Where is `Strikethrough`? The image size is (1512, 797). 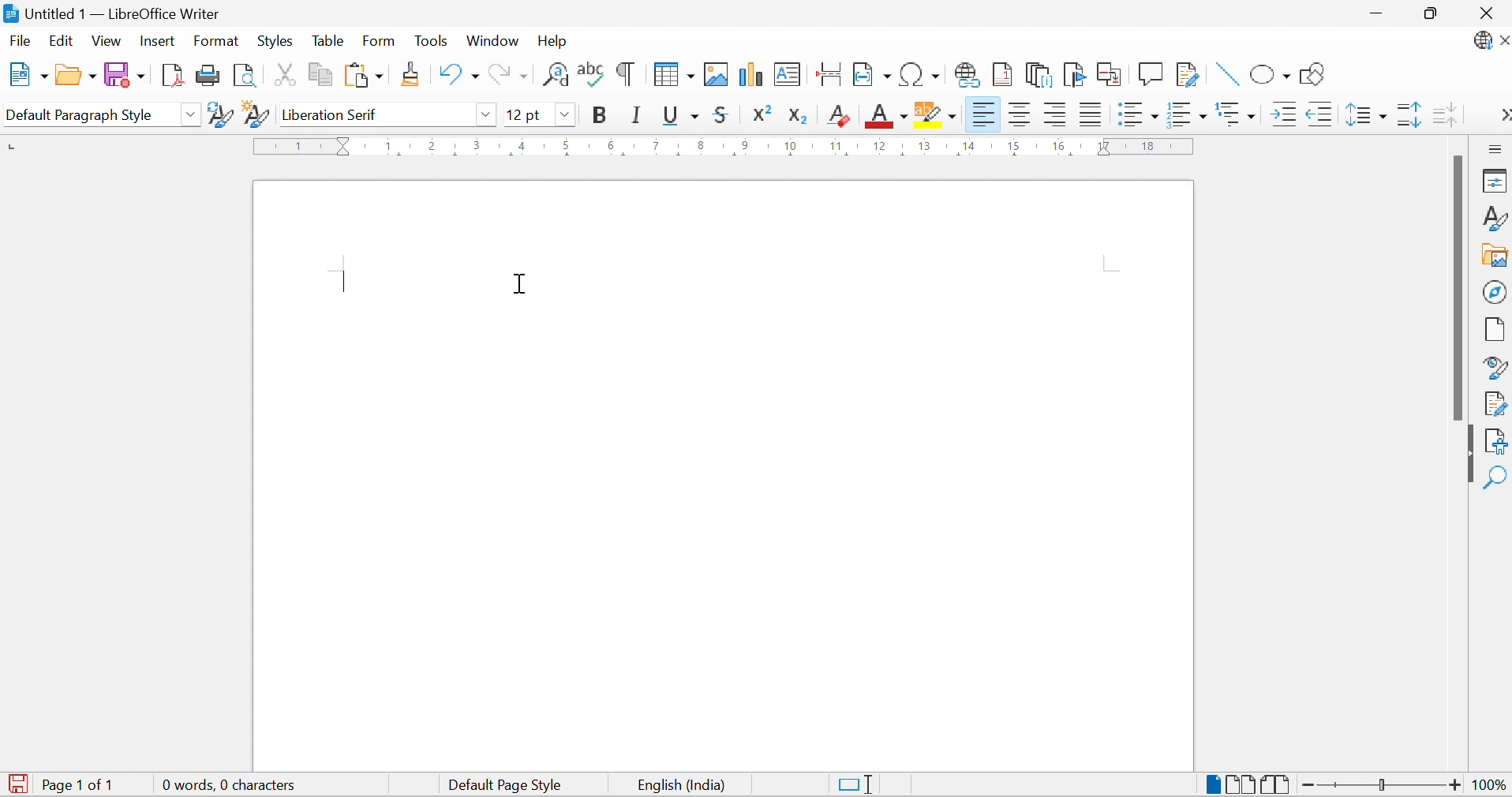
Strikethrough is located at coordinates (724, 115).